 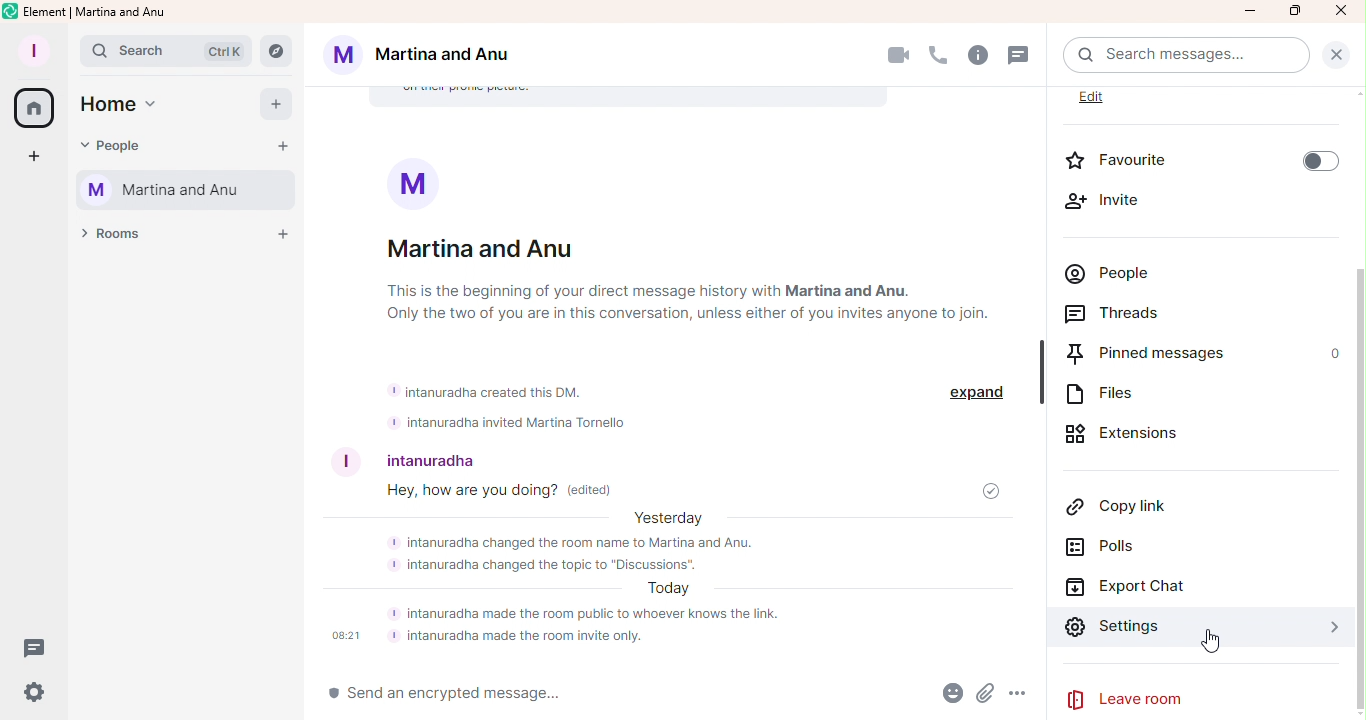 What do you see at coordinates (33, 47) in the screenshot?
I see `Profile ` at bounding box center [33, 47].